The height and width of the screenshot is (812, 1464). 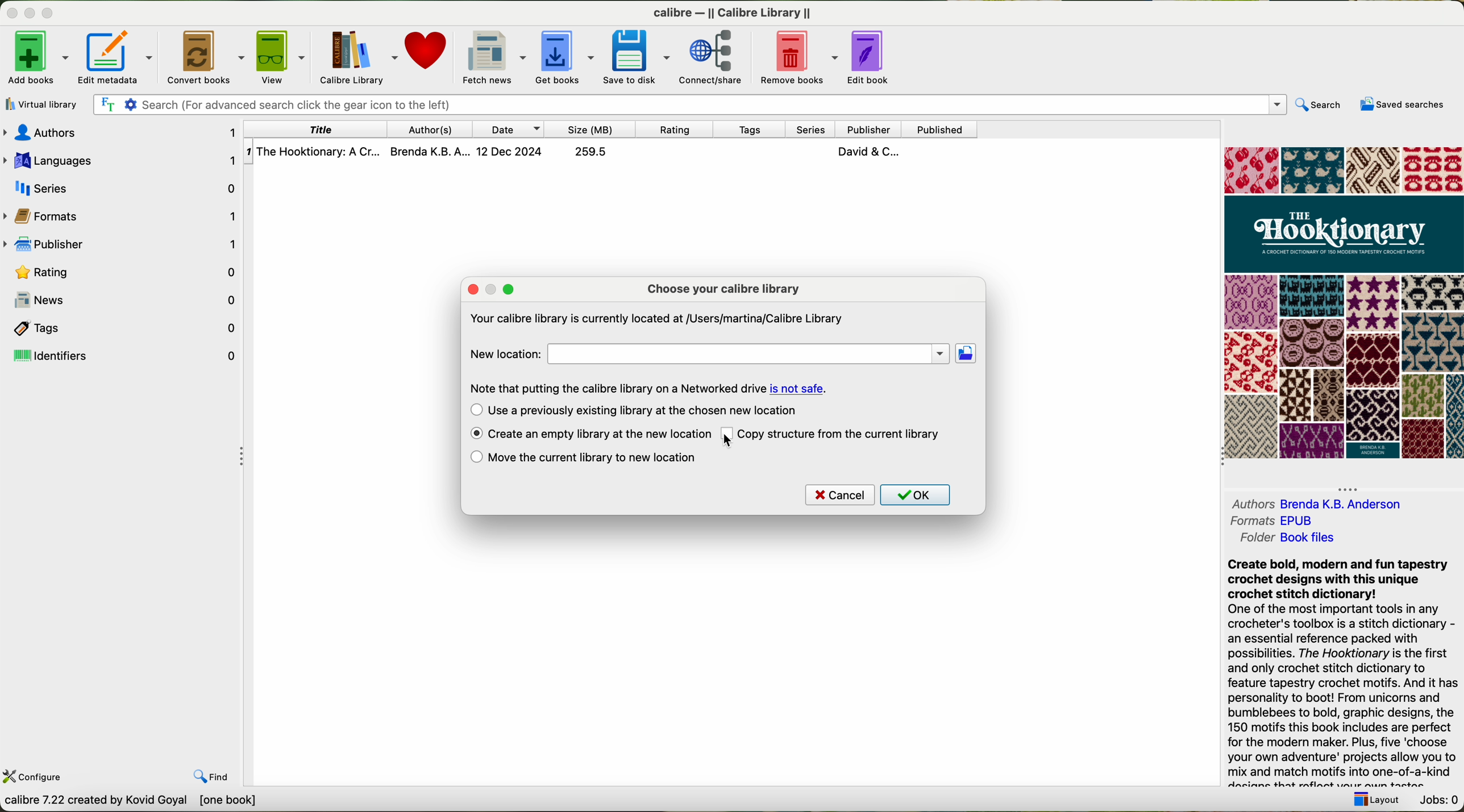 I want to click on date, so click(x=511, y=129).